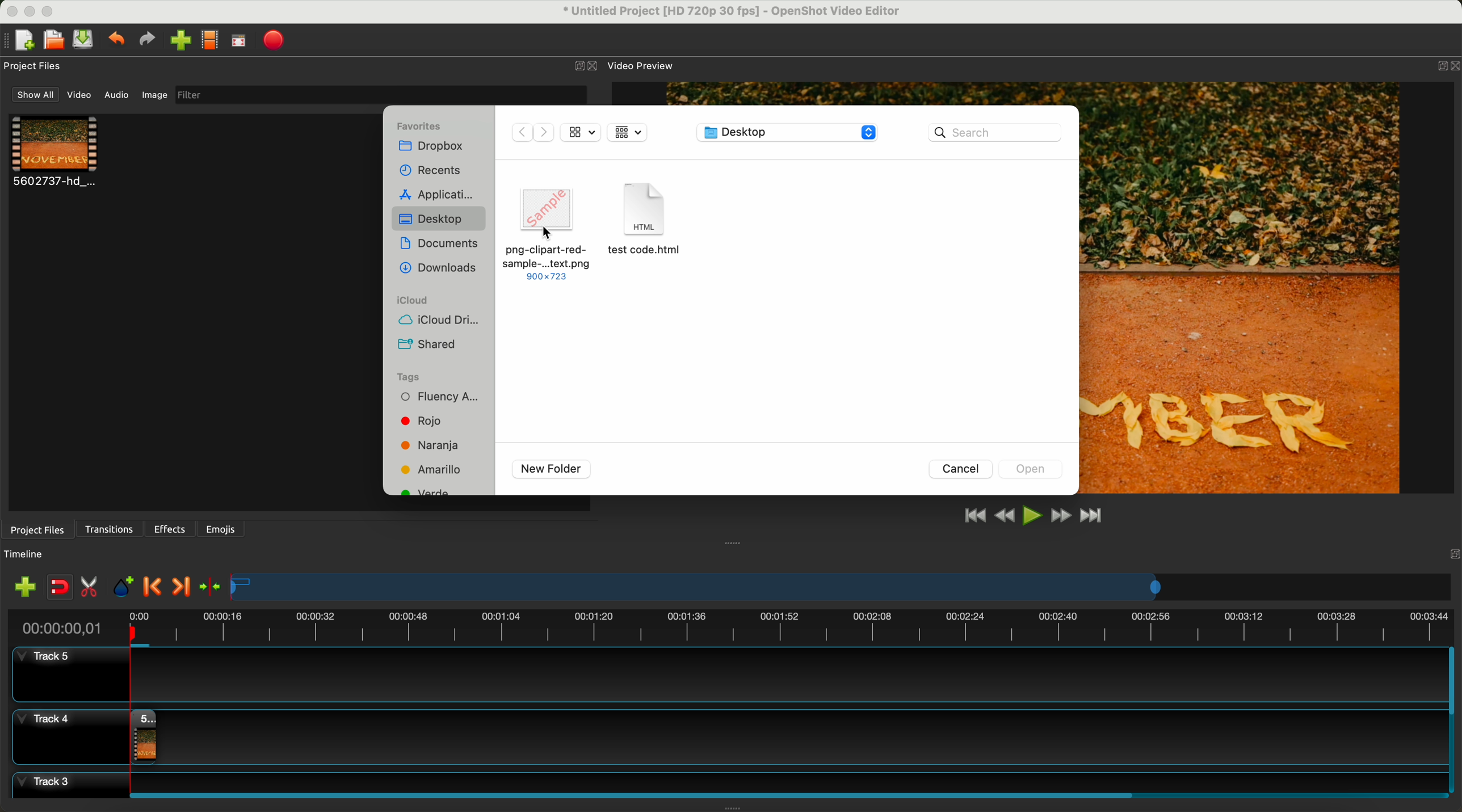 The image size is (1462, 812). What do you see at coordinates (30, 554) in the screenshot?
I see `timeline` at bounding box center [30, 554].